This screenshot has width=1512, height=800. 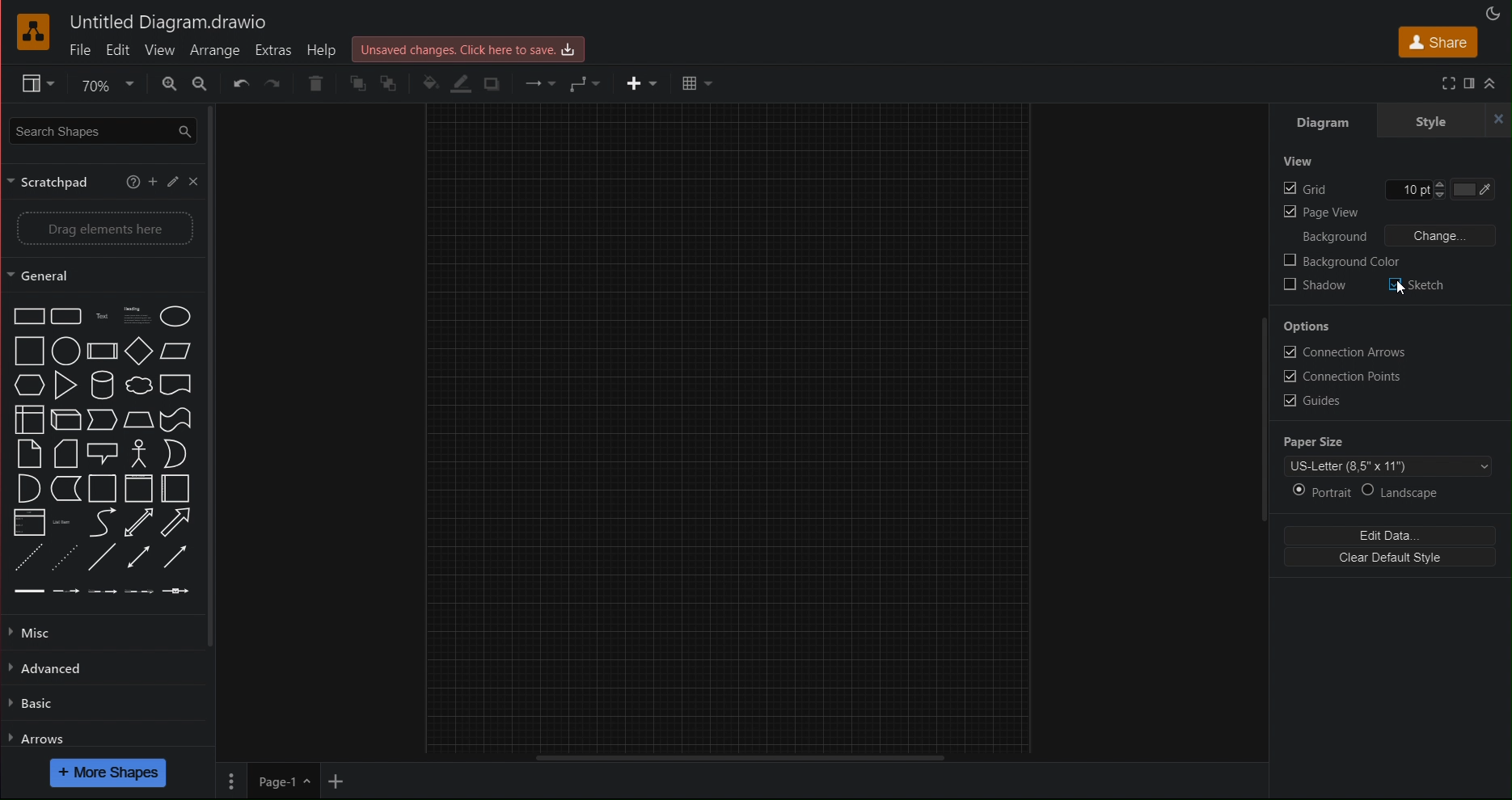 I want to click on Add new page, so click(x=343, y=783).